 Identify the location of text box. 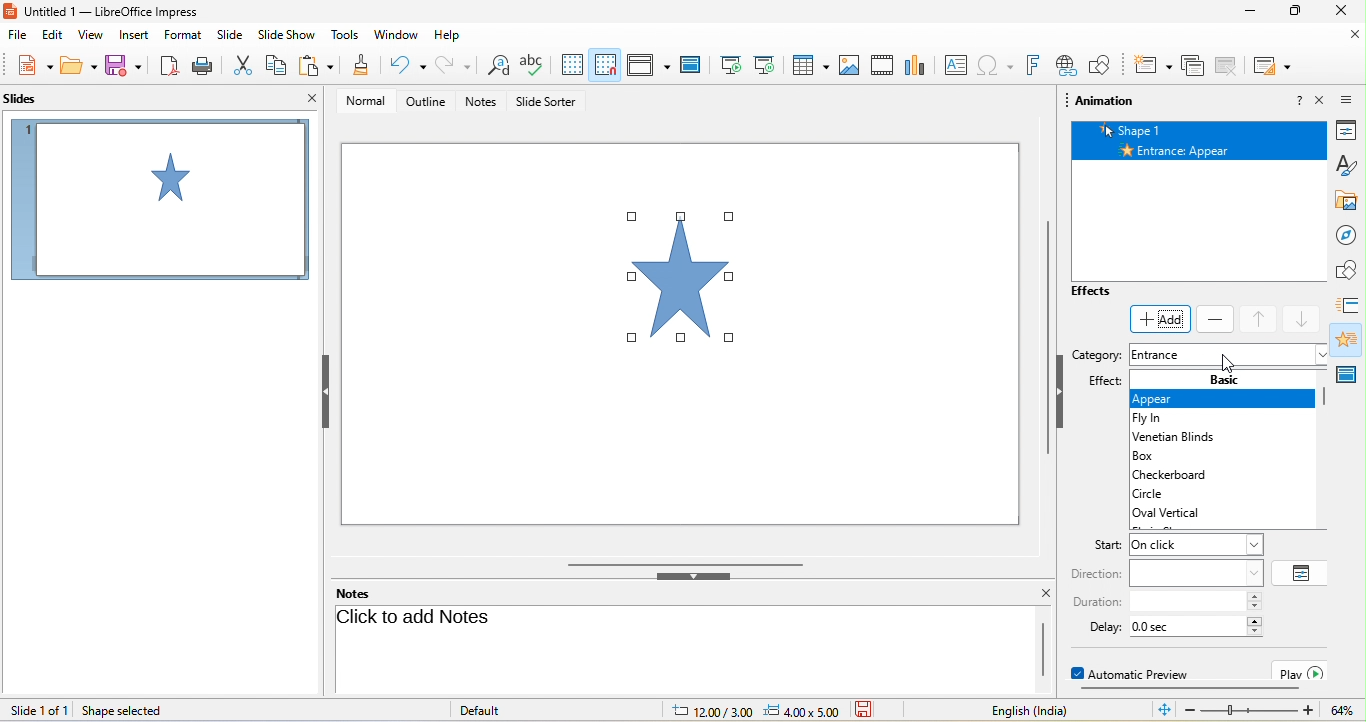
(957, 64).